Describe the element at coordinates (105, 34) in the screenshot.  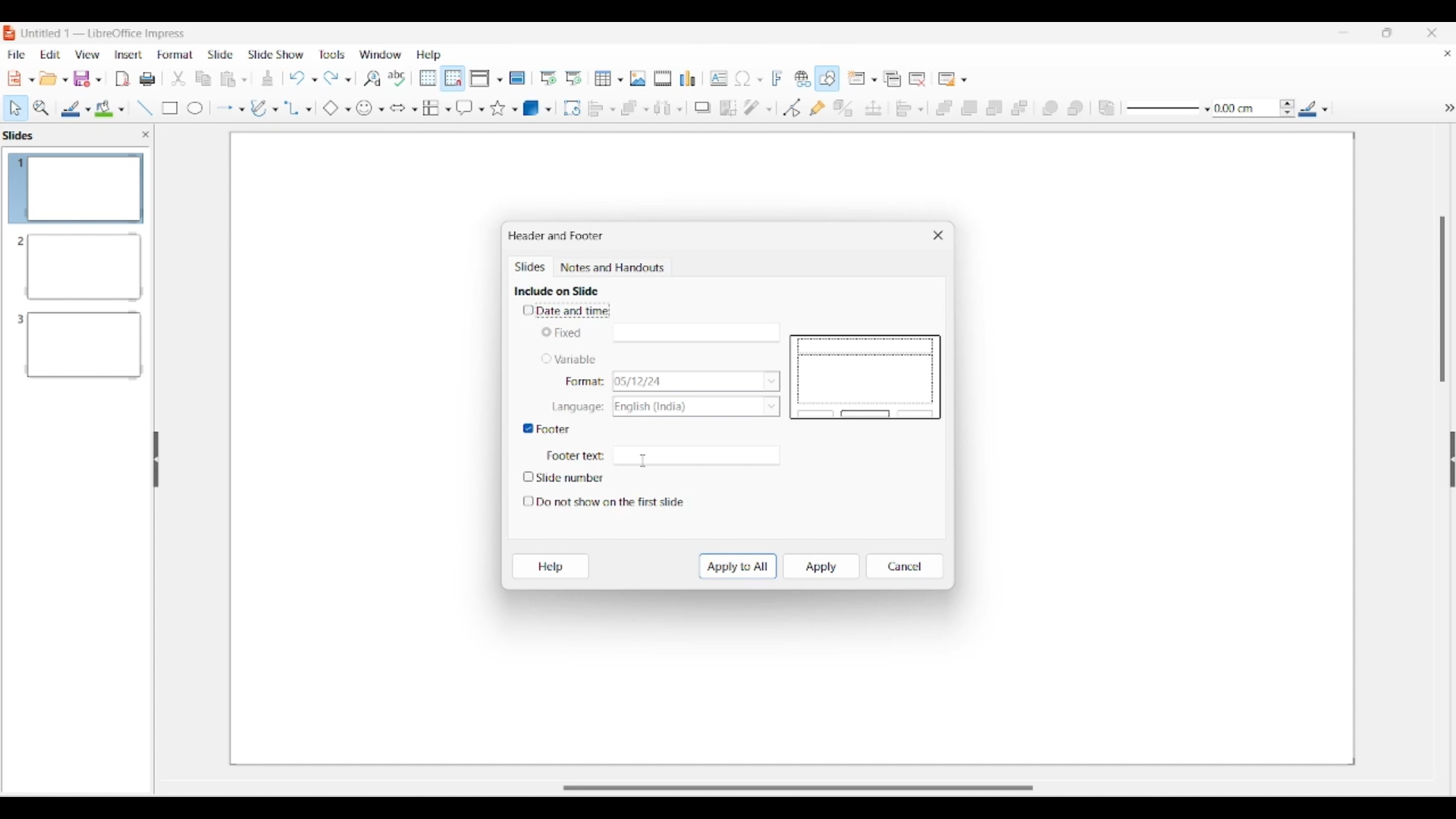
I see `Software and project name` at that location.